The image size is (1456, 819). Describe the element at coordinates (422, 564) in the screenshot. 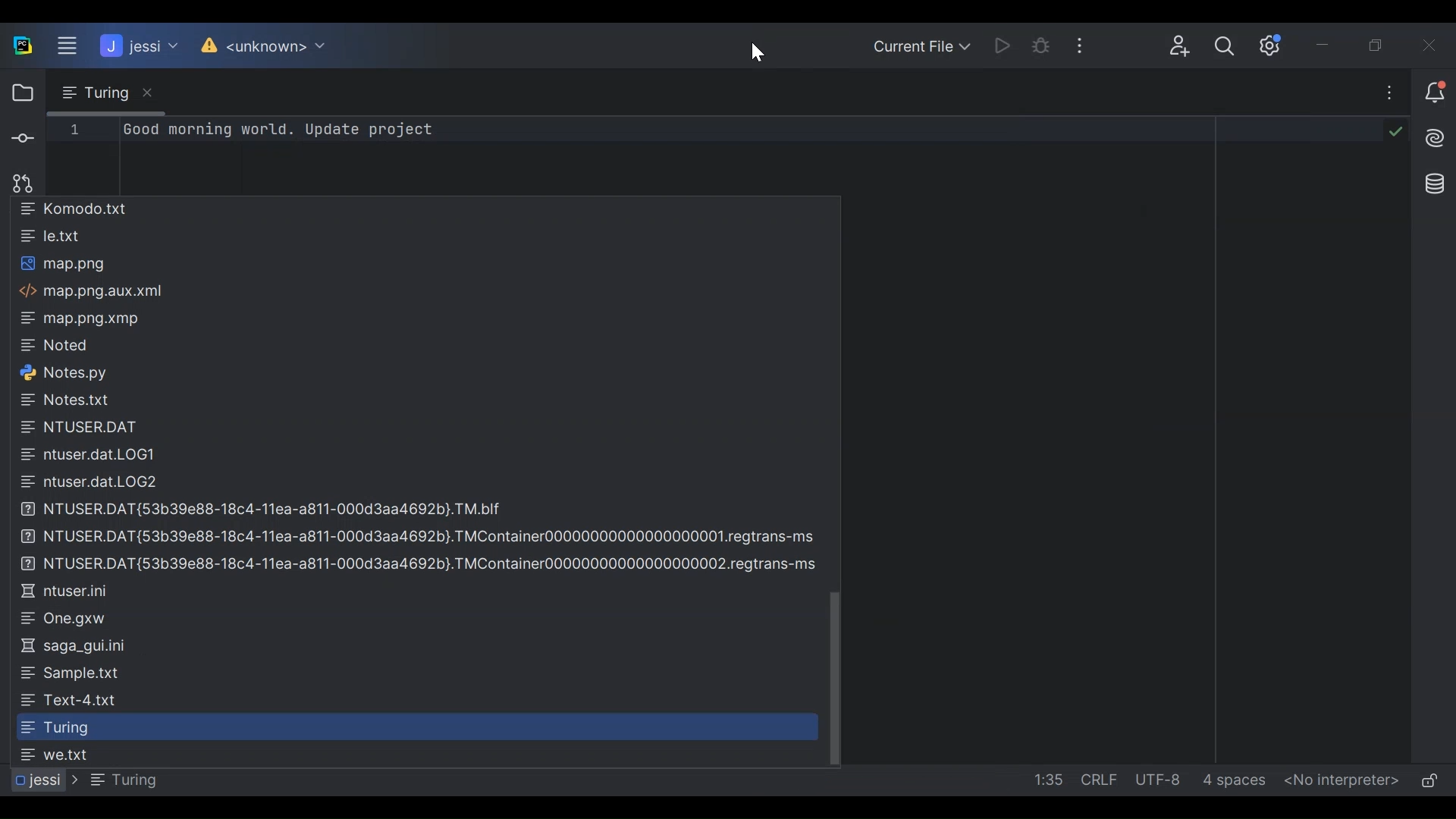

I see `NTUSER.DAT{53b39e88-18c4-11ea-a811-000d3aa4692b}. TMContainer00000000000000000002.regtrans-ms` at that location.